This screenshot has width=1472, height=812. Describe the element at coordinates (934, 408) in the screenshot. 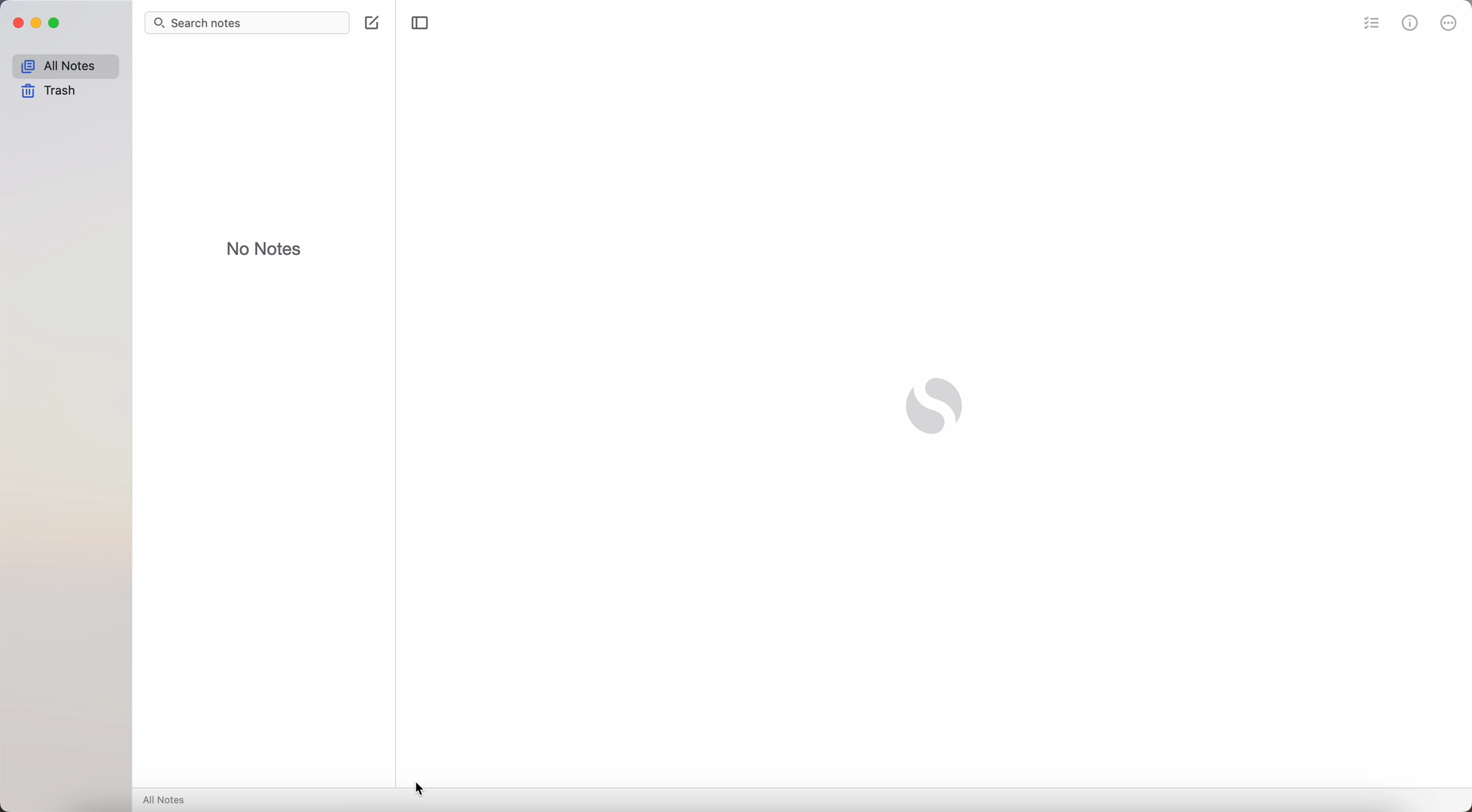

I see `Simplenote logo` at that location.